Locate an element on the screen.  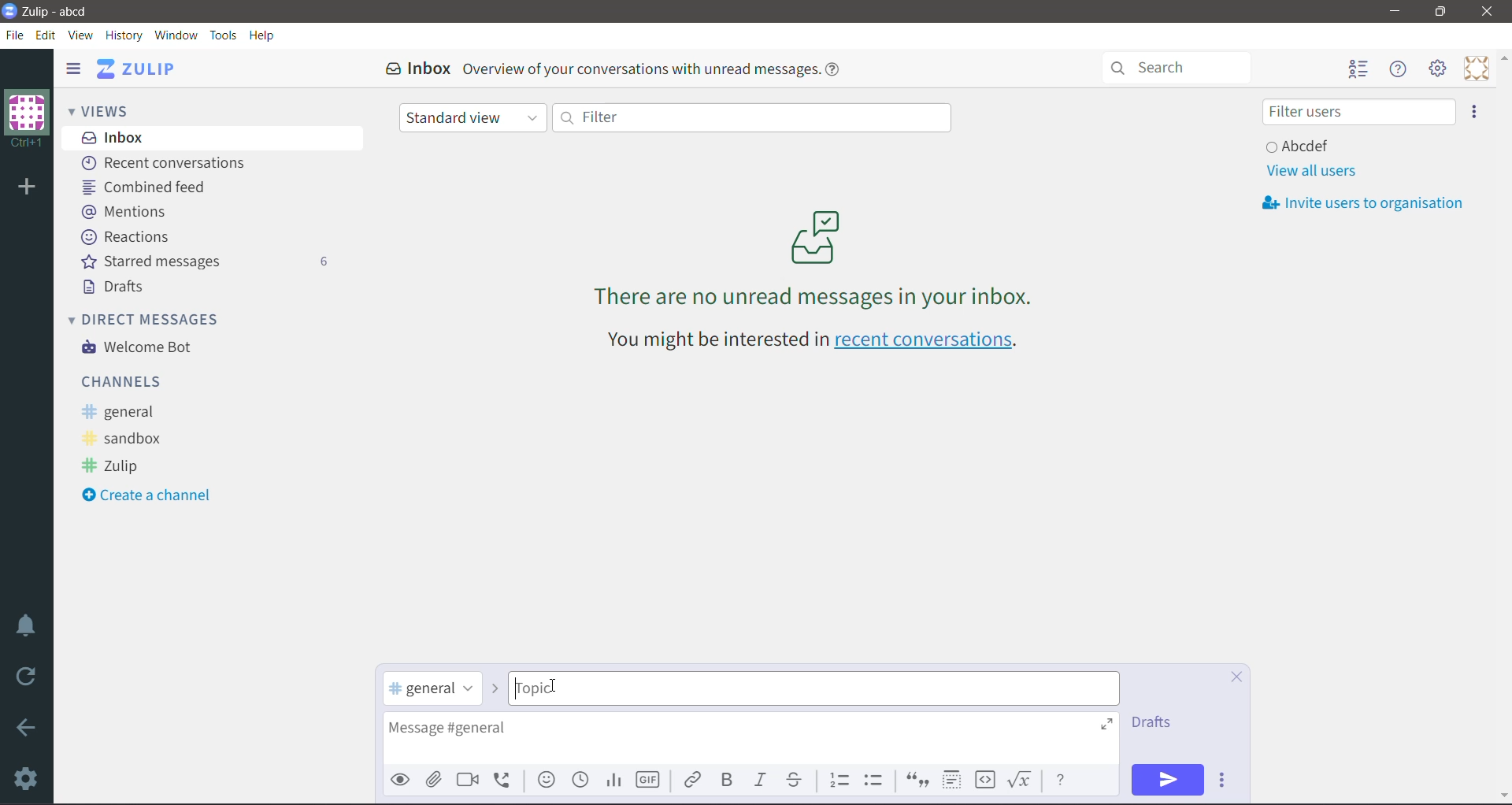
Drafts is located at coordinates (117, 287).